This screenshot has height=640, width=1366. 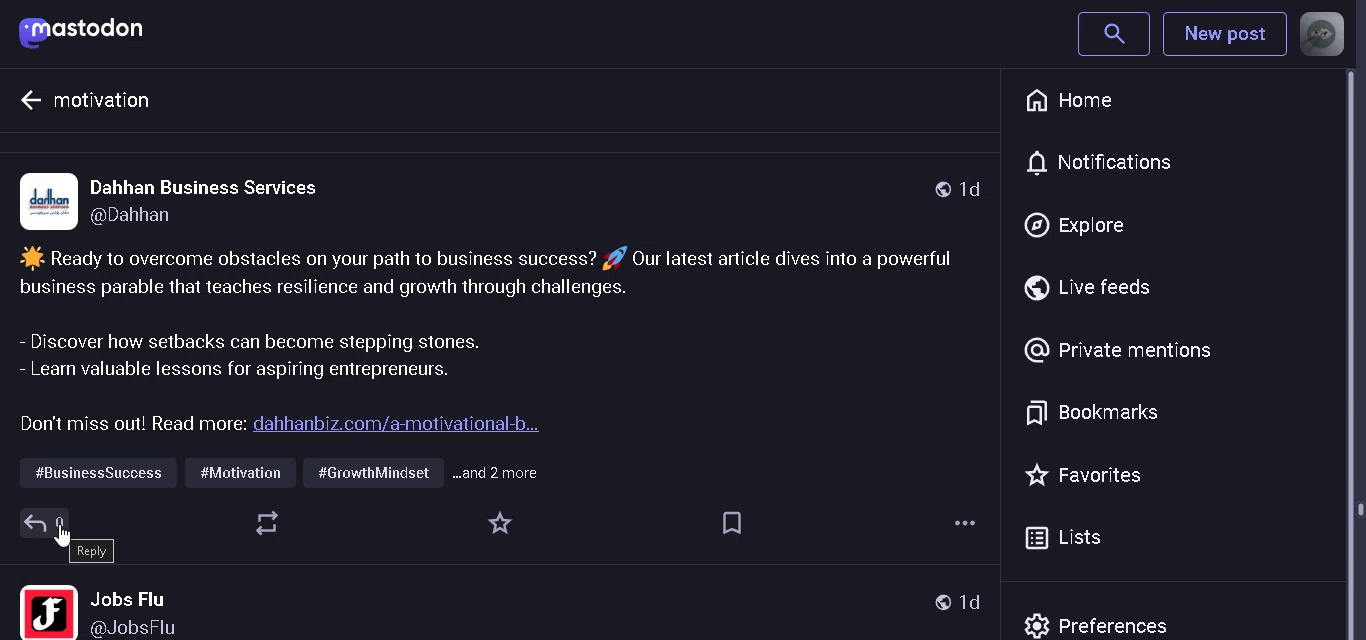 What do you see at coordinates (1098, 288) in the screenshot?
I see `live feeds` at bounding box center [1098, 288].